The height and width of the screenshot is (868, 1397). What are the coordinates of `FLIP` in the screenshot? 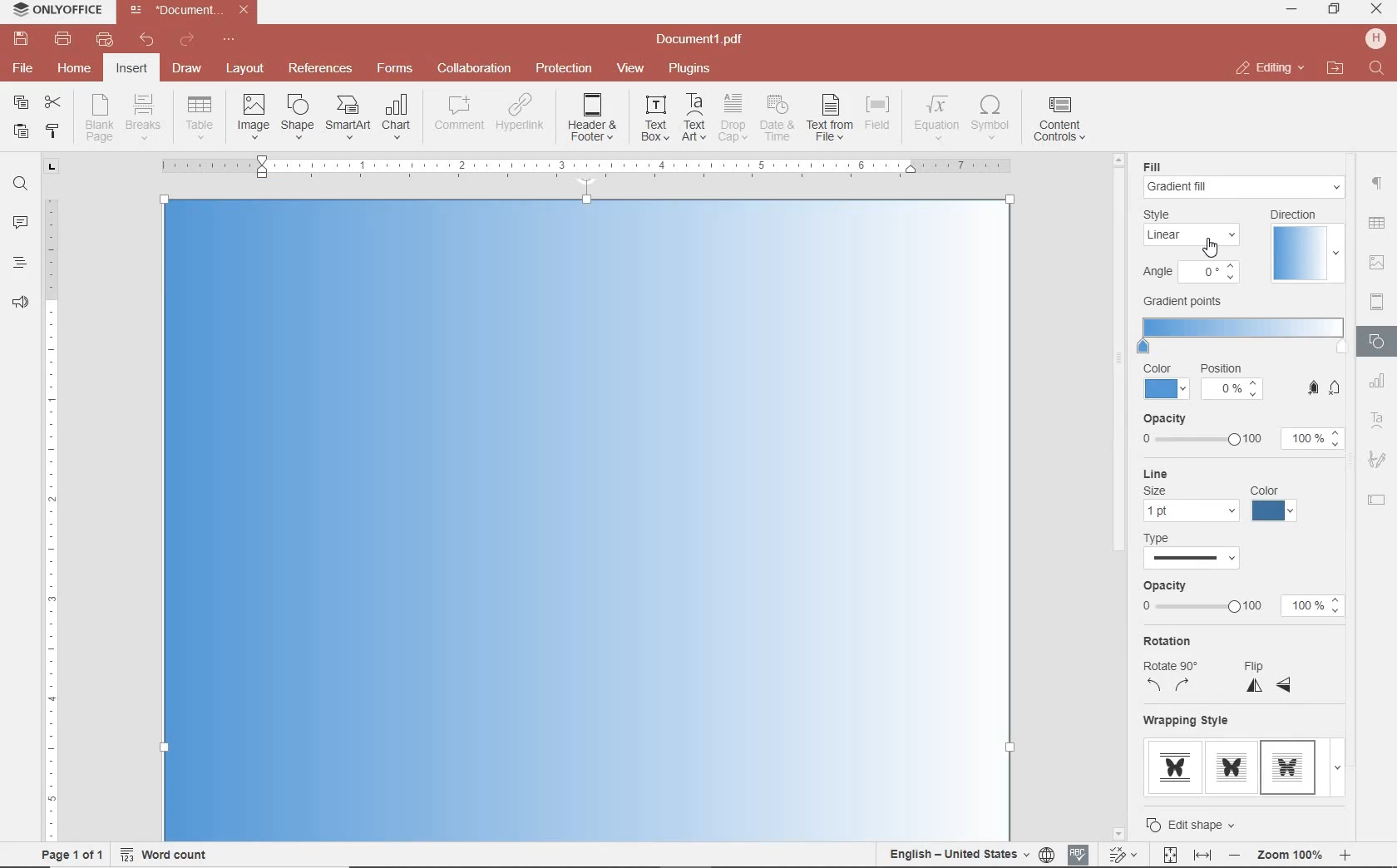 It's located at (1276, 504).